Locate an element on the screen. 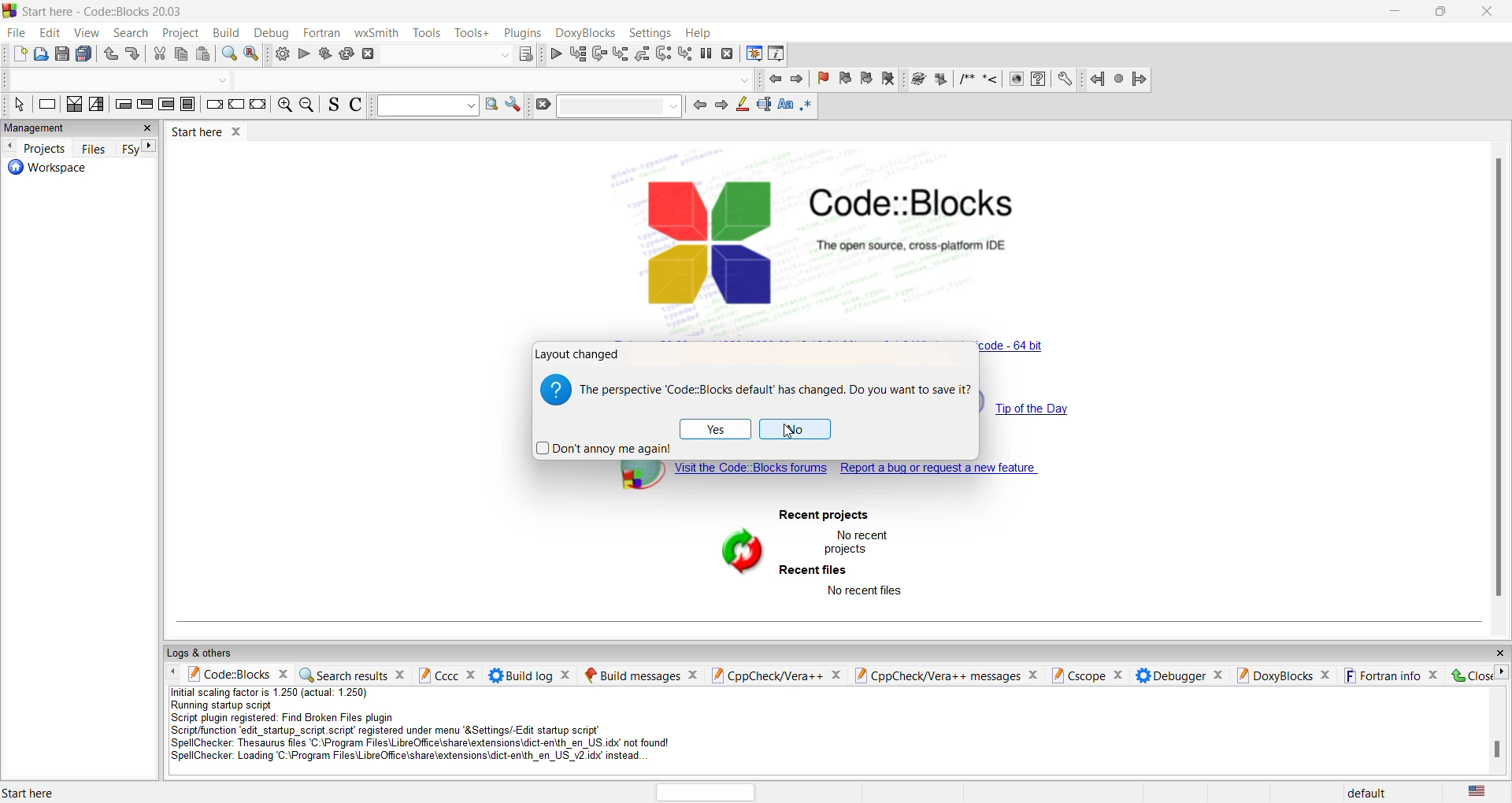 The width and height of the screenshot is (1512, 803). highlight is located at coordinates (739, 105).